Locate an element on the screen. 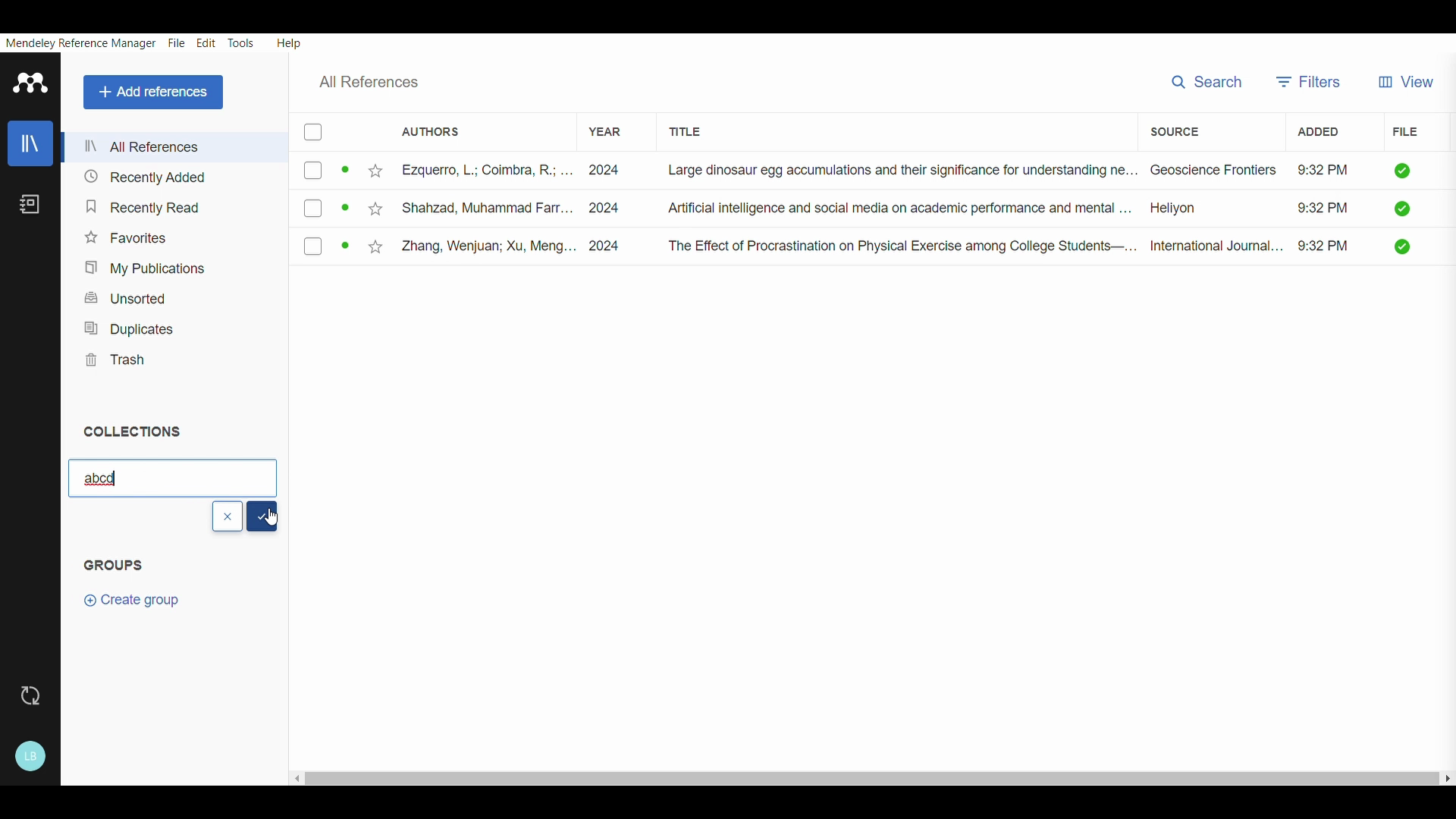 Image resolution: width=1456 pixels, height=819 pixels. File is located at coordinates (176, 42).